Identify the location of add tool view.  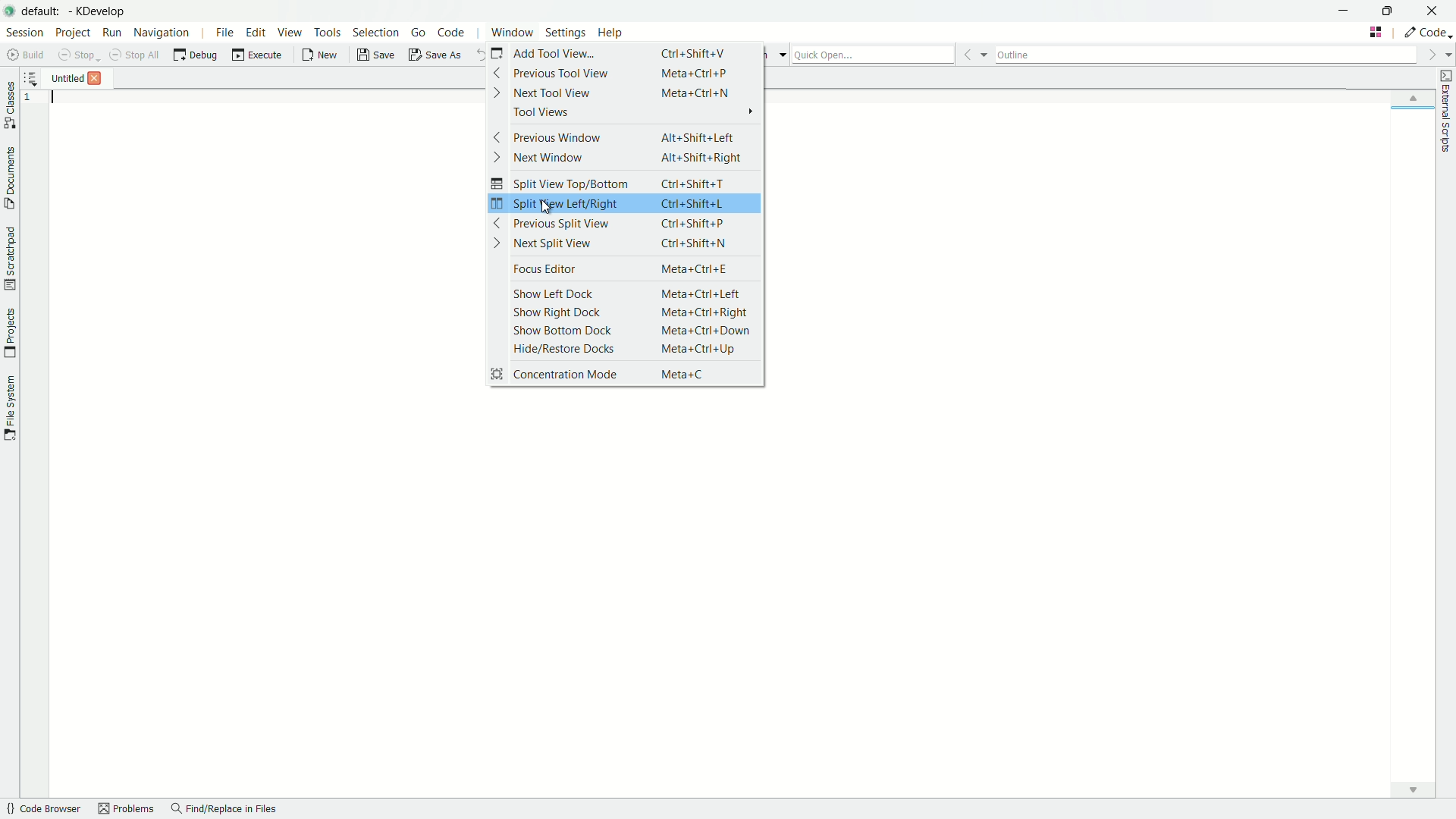
(565, 54).